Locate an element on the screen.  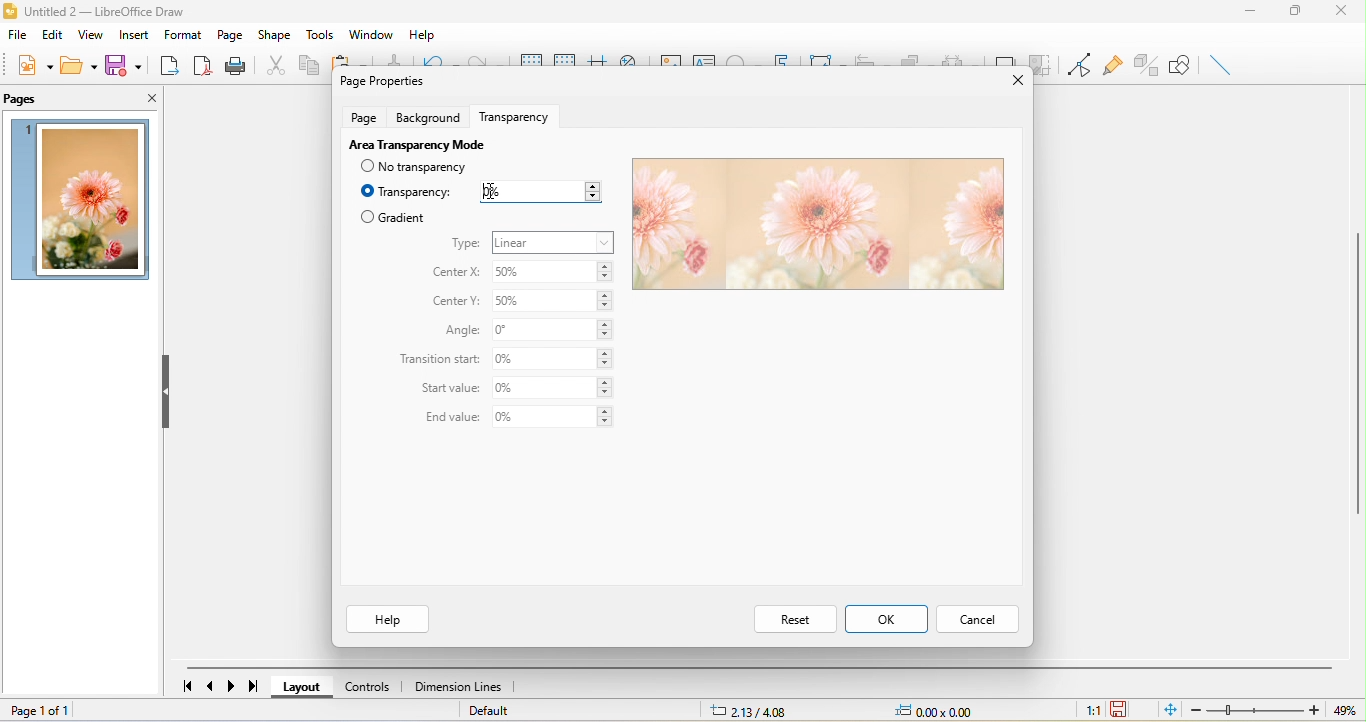
image is located at coordinates (82, 200).